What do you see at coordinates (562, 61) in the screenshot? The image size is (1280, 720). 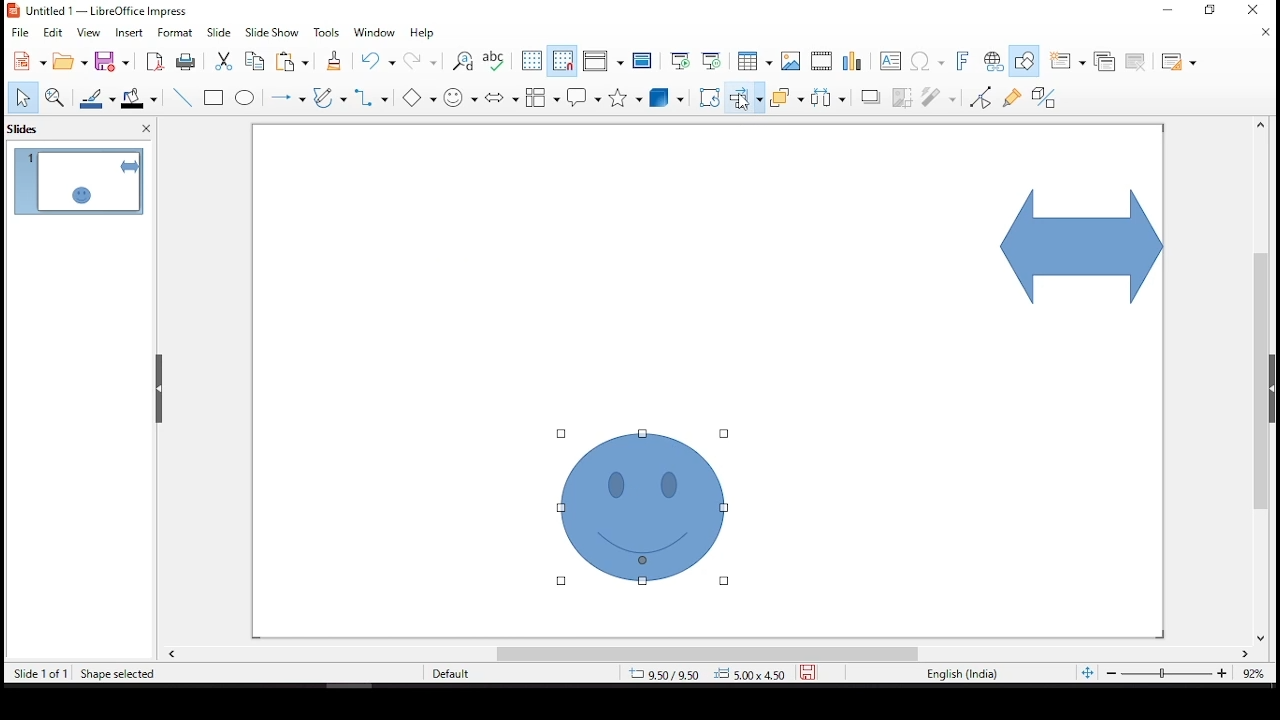 I see `snap to grid` at bounding box center [562, 61].